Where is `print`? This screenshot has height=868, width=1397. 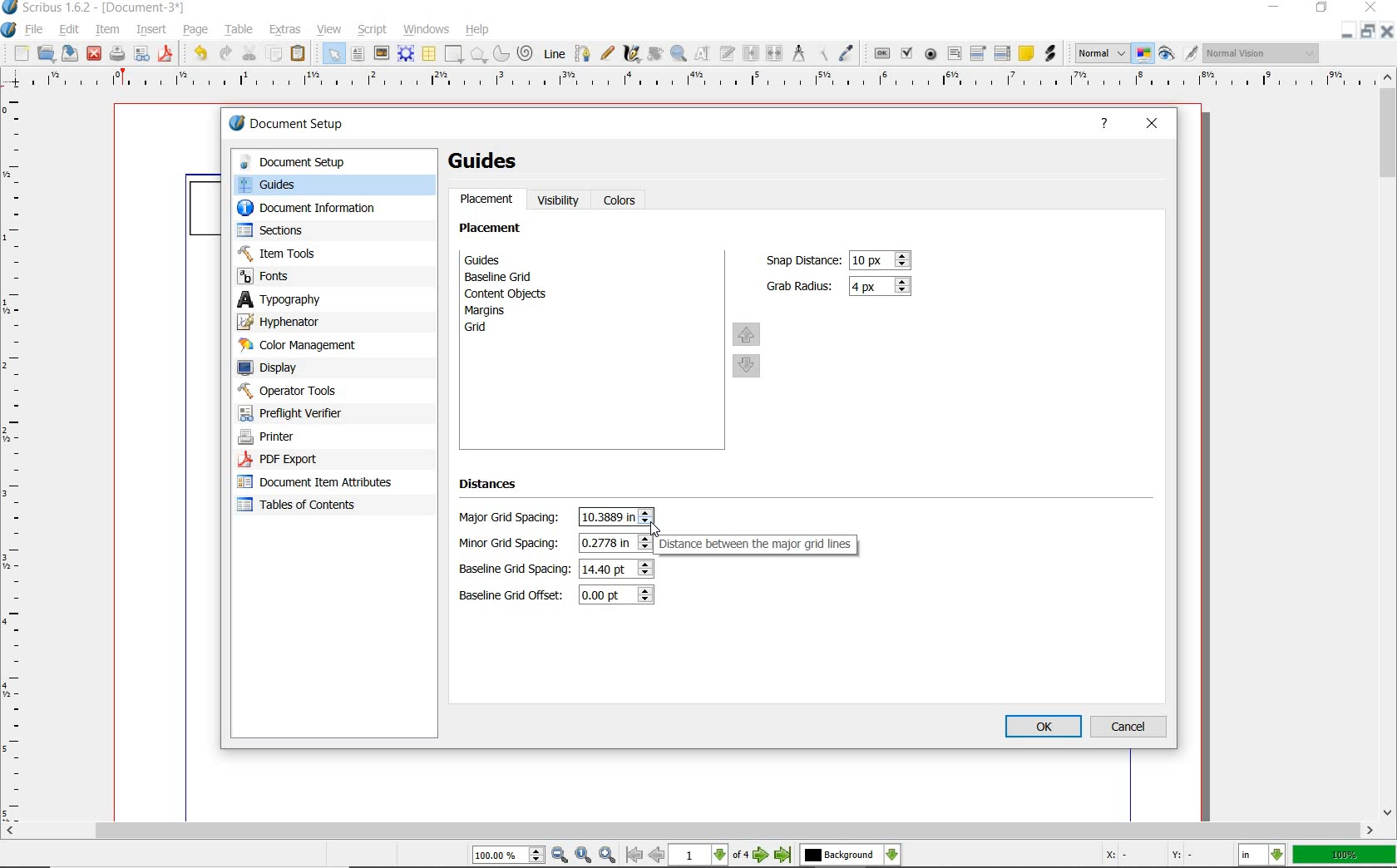 print is located at coordinates (117, 54).